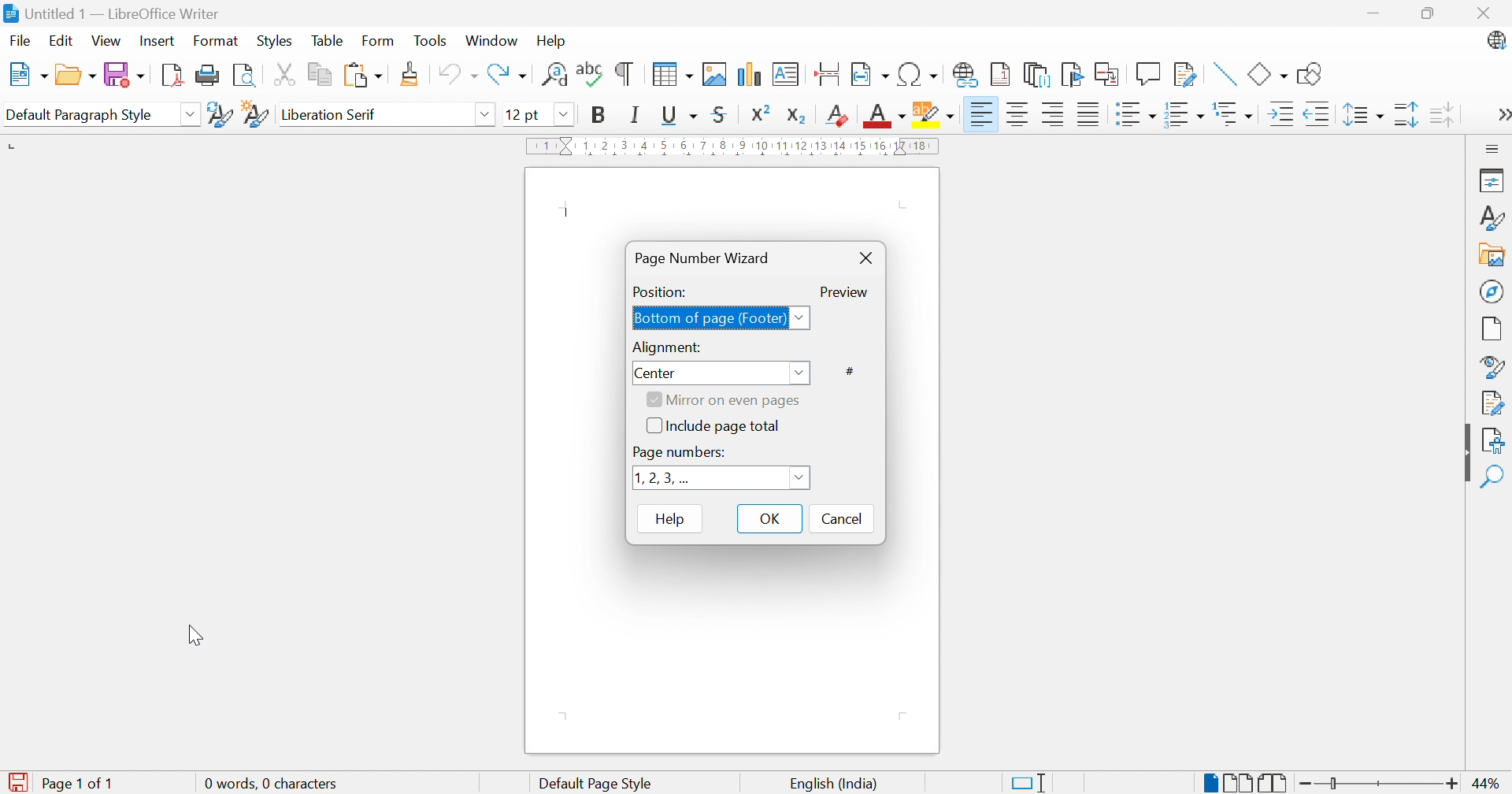  What do you see at coordinates (522, 115) in the screenshot?
I see `12 pt` at bounding box center [522, 115].